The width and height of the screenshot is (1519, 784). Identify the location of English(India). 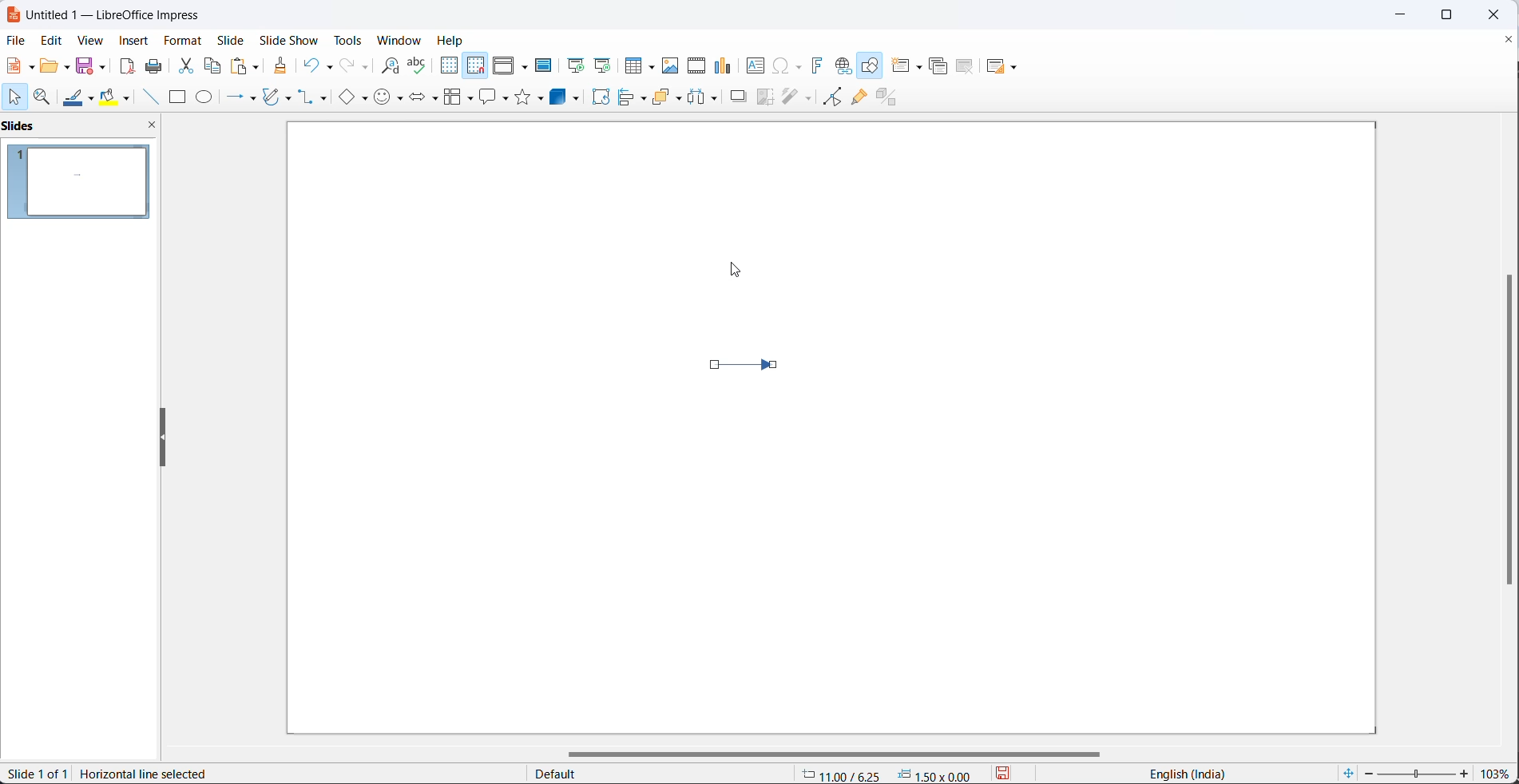
(1180, 774).